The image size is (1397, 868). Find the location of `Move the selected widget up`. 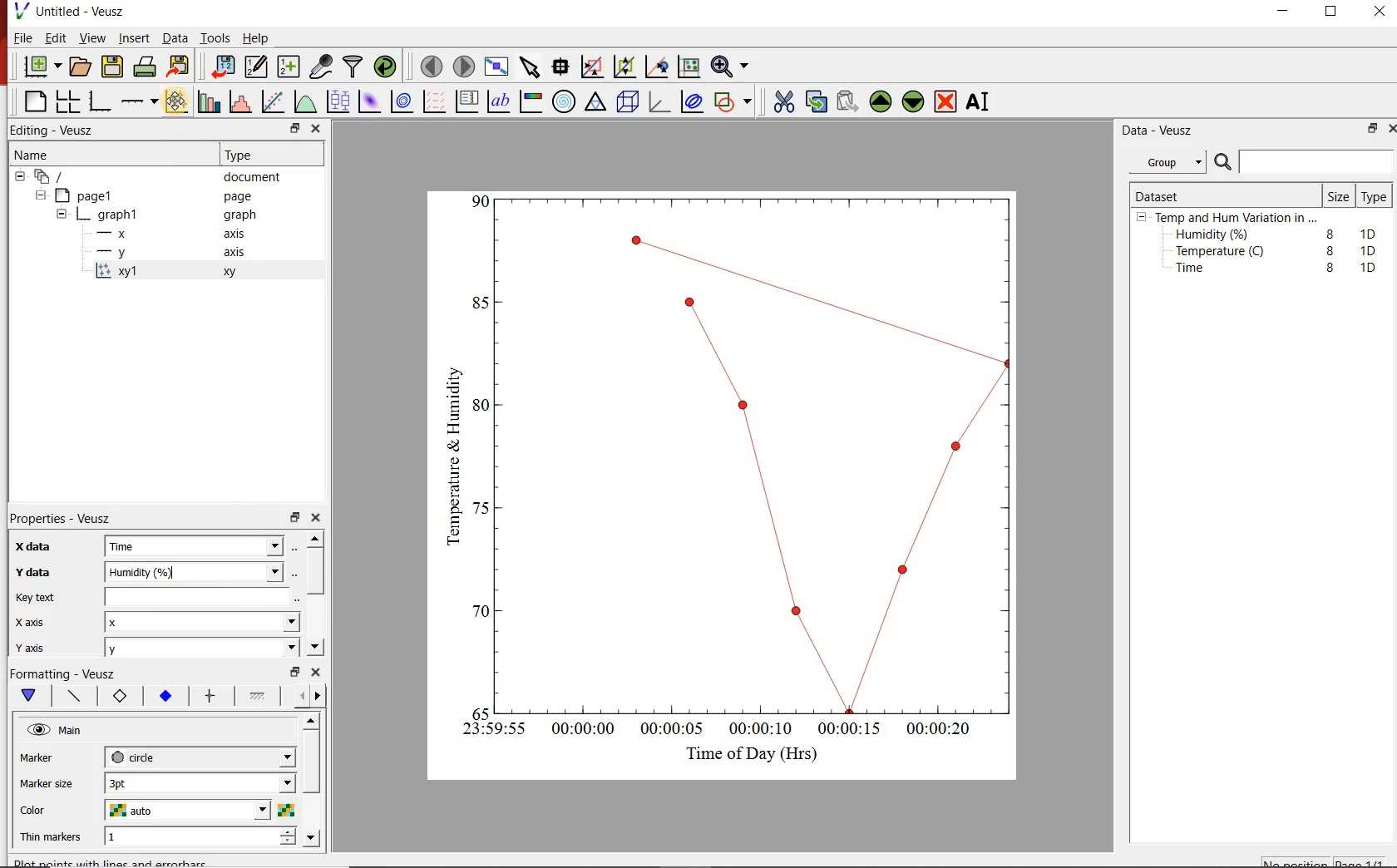

Move the selected widget up is located at coordinates (881, 100).